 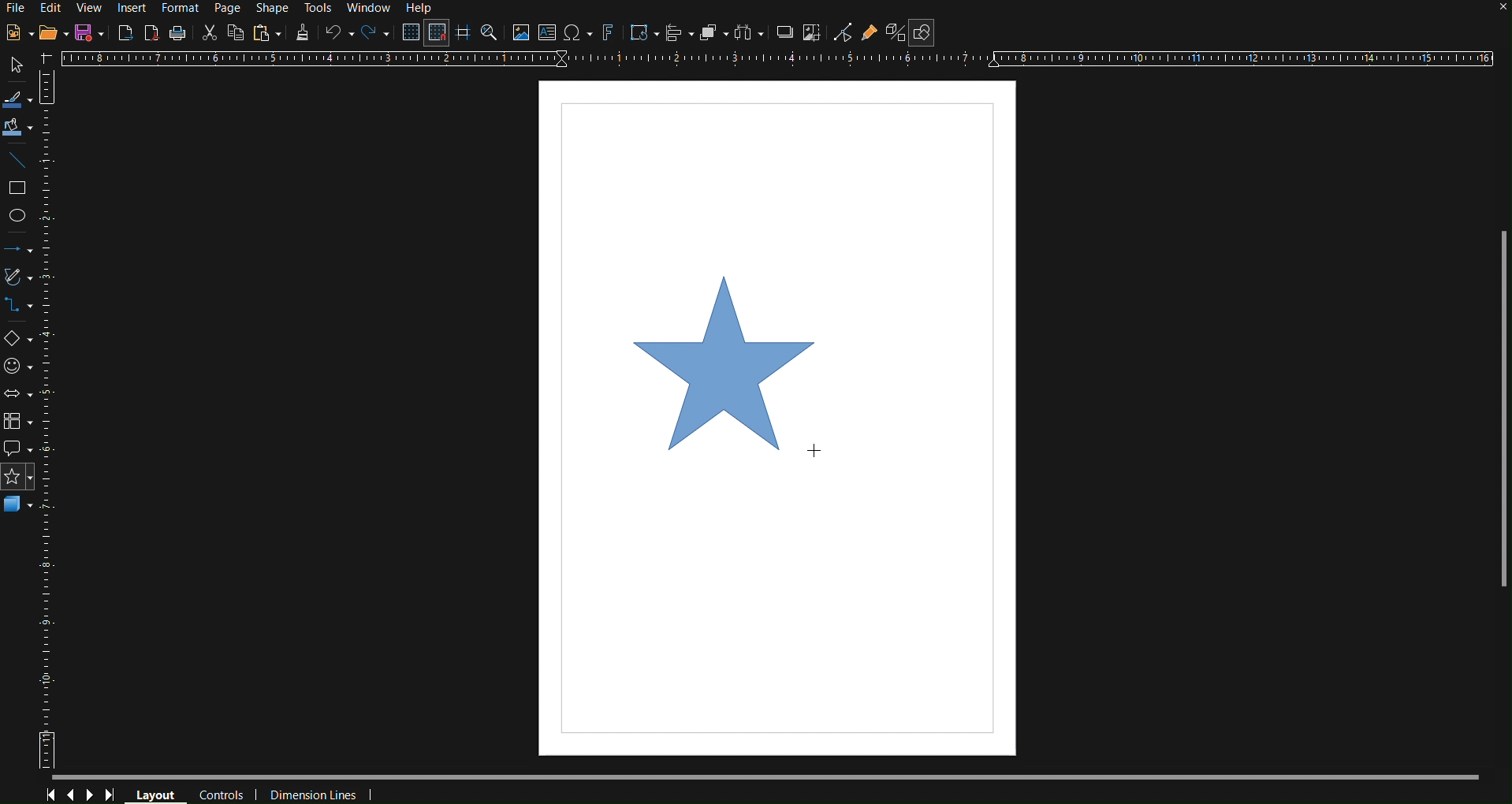 What do you see at coordinates (776, 59) in the screenshot?
I see `Horizontal Ruler` at bounding box center [776, 59].